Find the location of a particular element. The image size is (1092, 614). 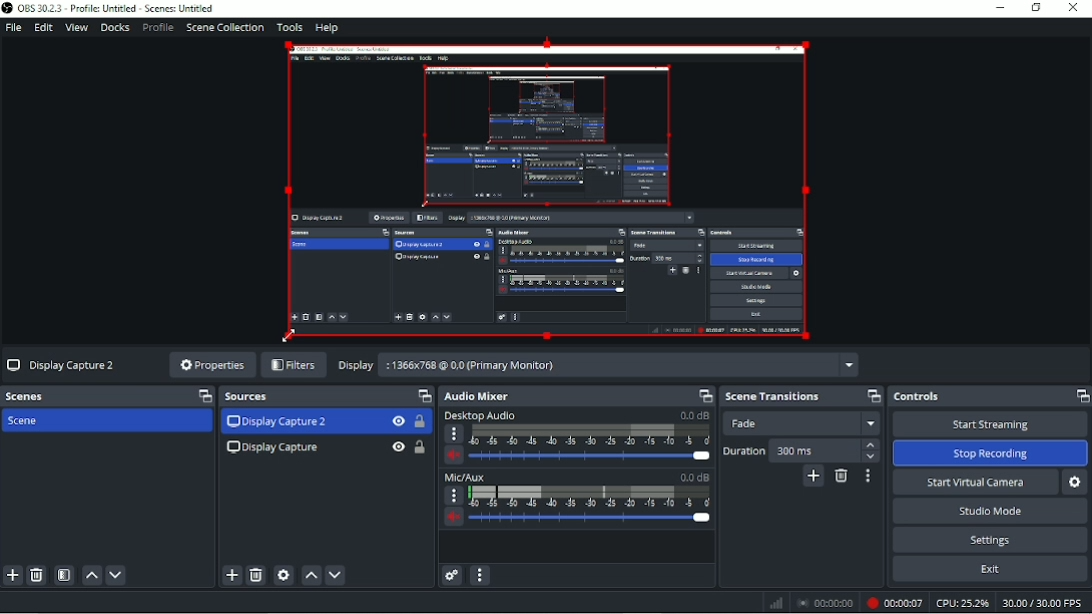

Open source properties is located at coordinates (283, 576).